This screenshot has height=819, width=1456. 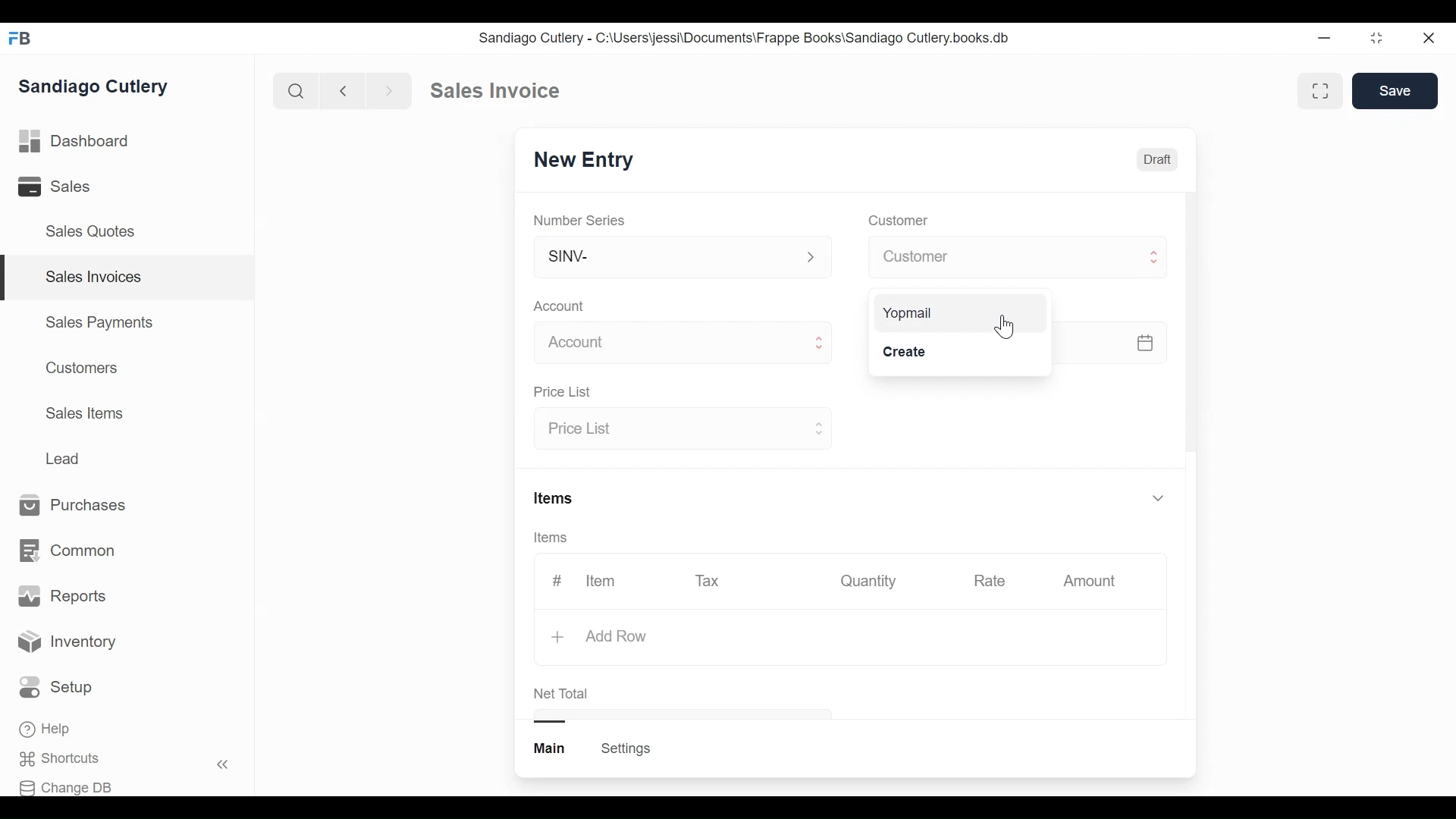 What do you see at coordinates (344, 90) in the screenshot?
I see `backward` at bounding box center [344, 90].